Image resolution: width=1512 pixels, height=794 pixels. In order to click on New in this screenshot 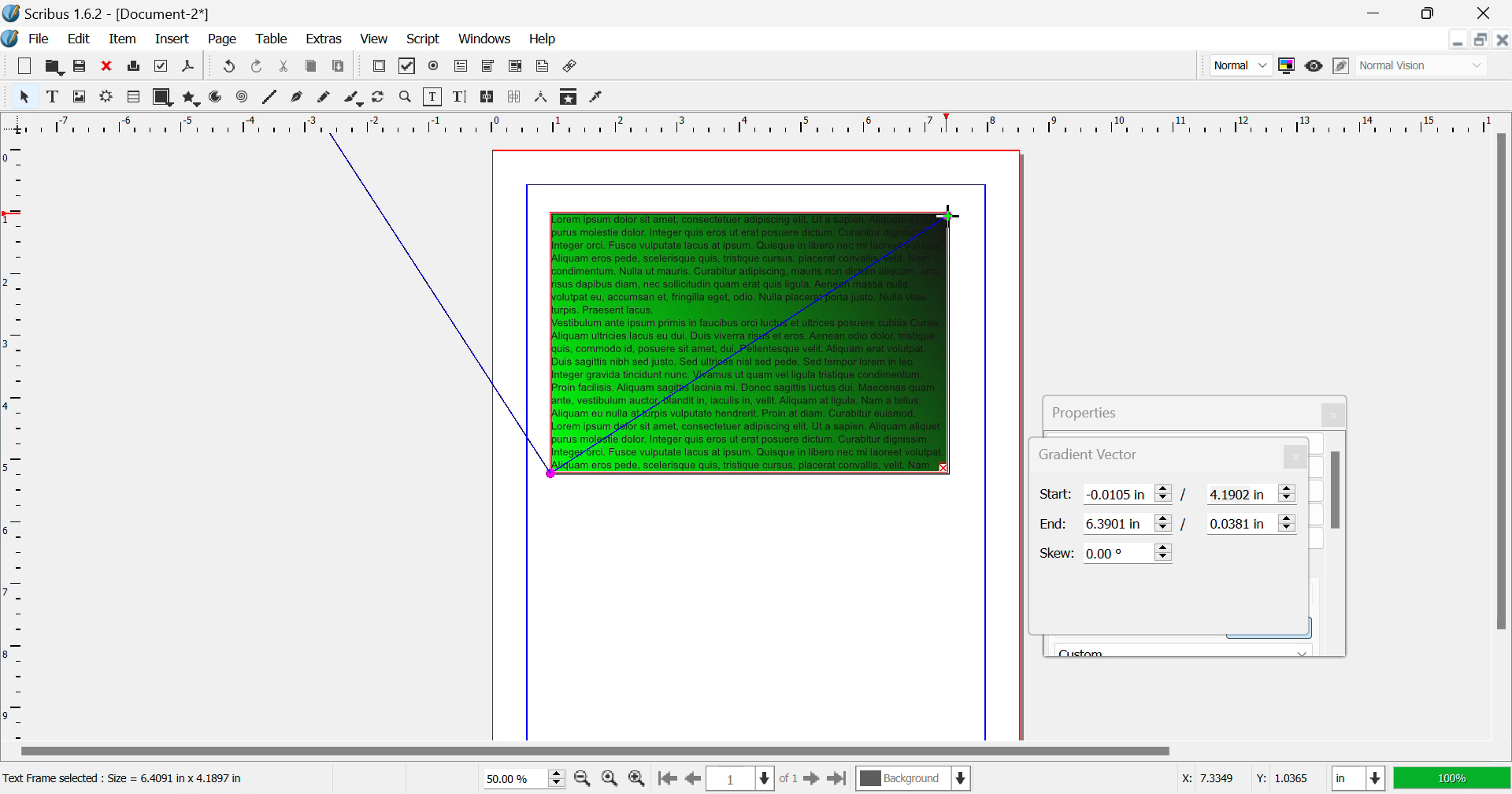, I will do `click(25, 66)`.